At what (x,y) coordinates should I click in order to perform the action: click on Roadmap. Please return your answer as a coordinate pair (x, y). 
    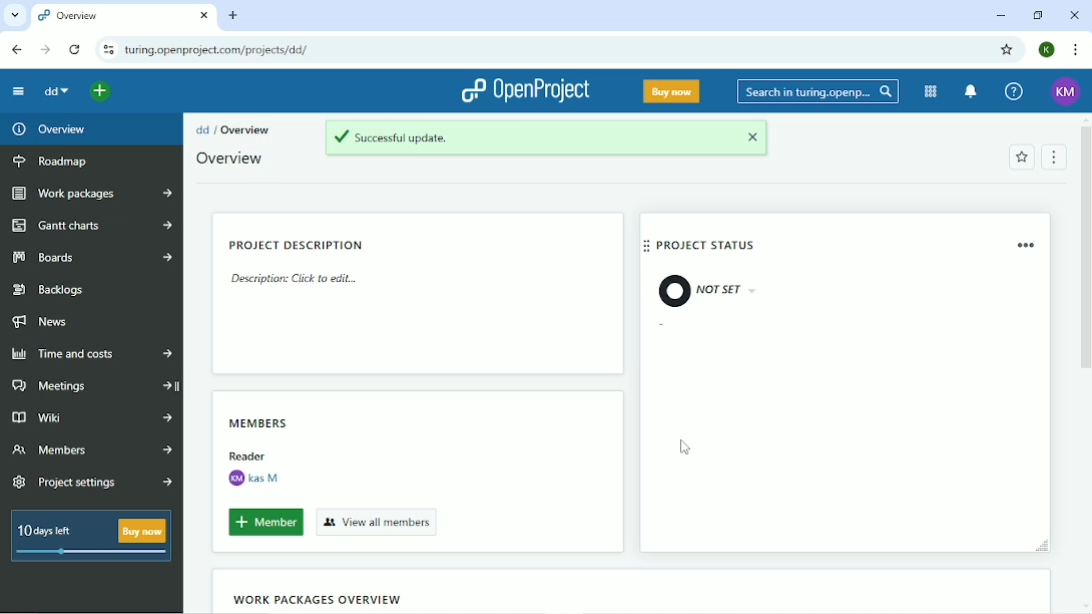
    Looking at the image, I should click on (53, 163).